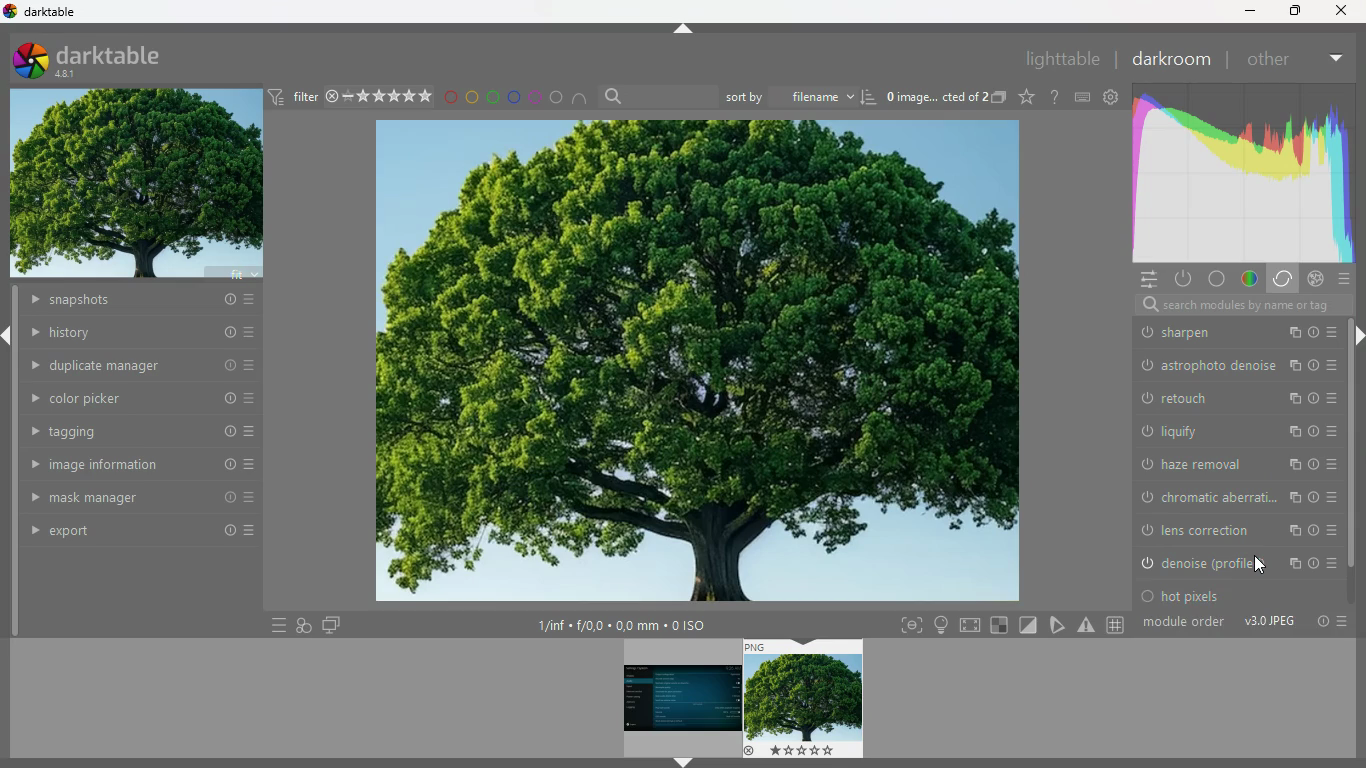  I want to click on green, so click(493, 97).